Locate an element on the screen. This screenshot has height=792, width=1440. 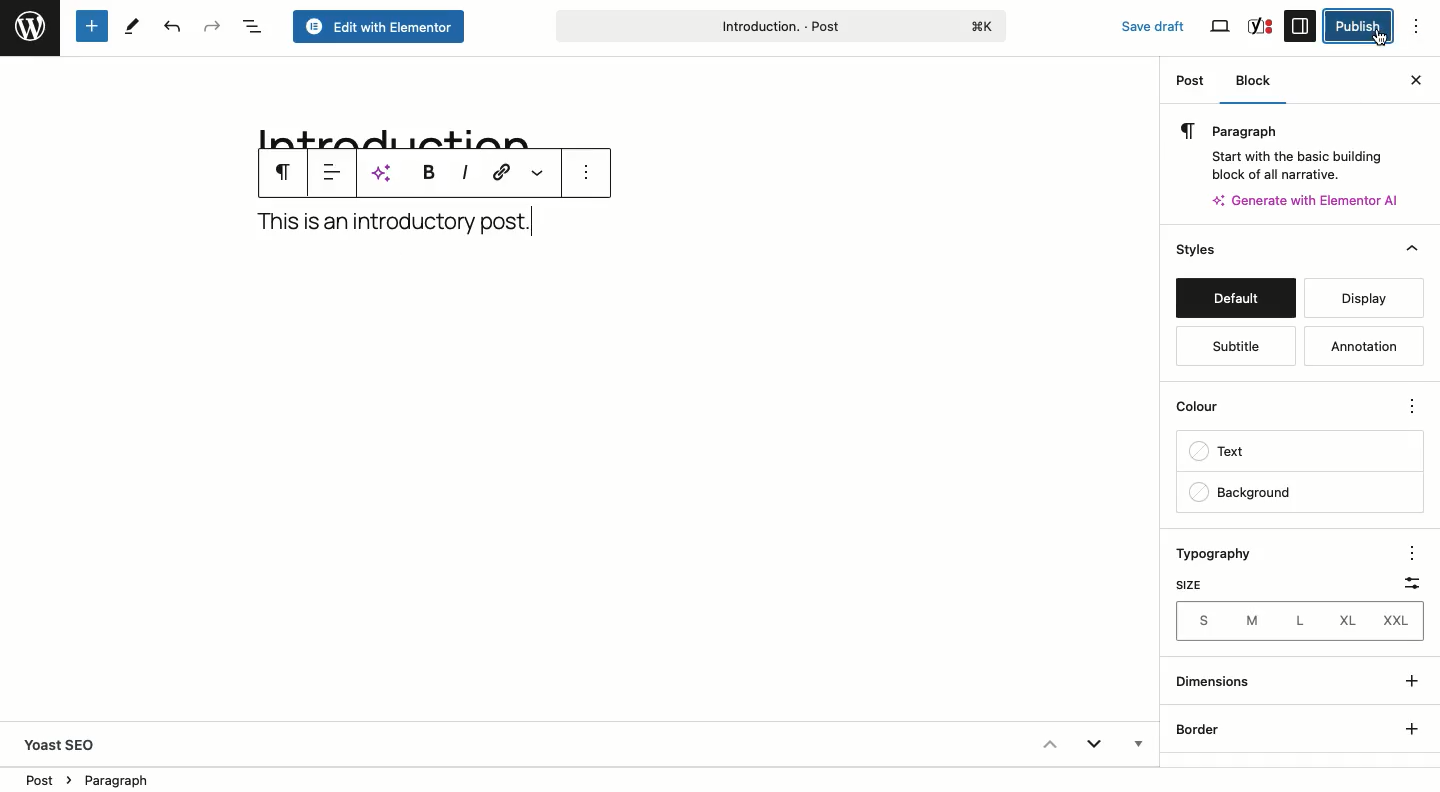
Align is located at coordinates (332, 173).